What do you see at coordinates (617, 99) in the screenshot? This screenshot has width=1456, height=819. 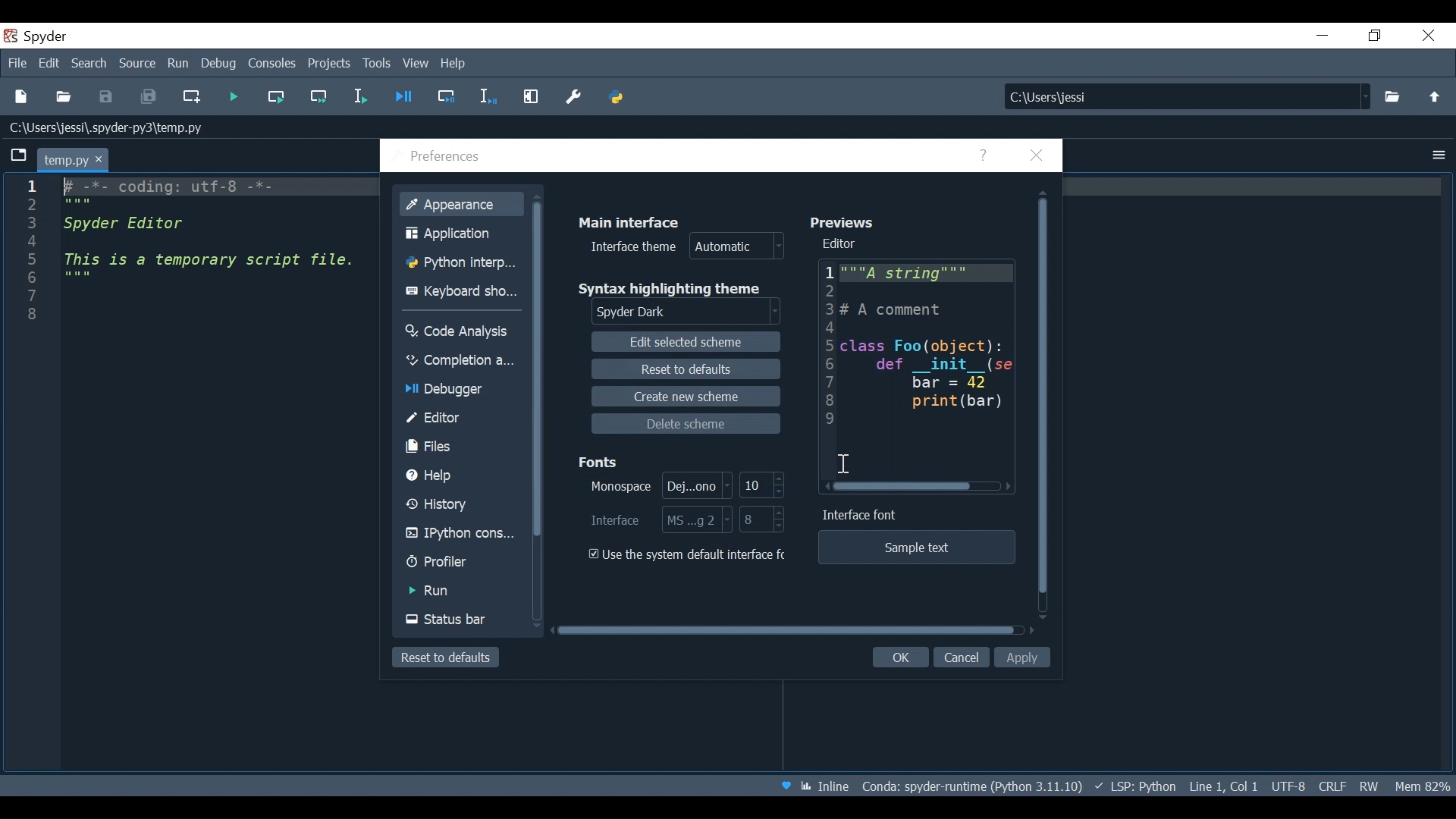 I see `PYTHONPATH Manager` at bounding box center [617, 99].